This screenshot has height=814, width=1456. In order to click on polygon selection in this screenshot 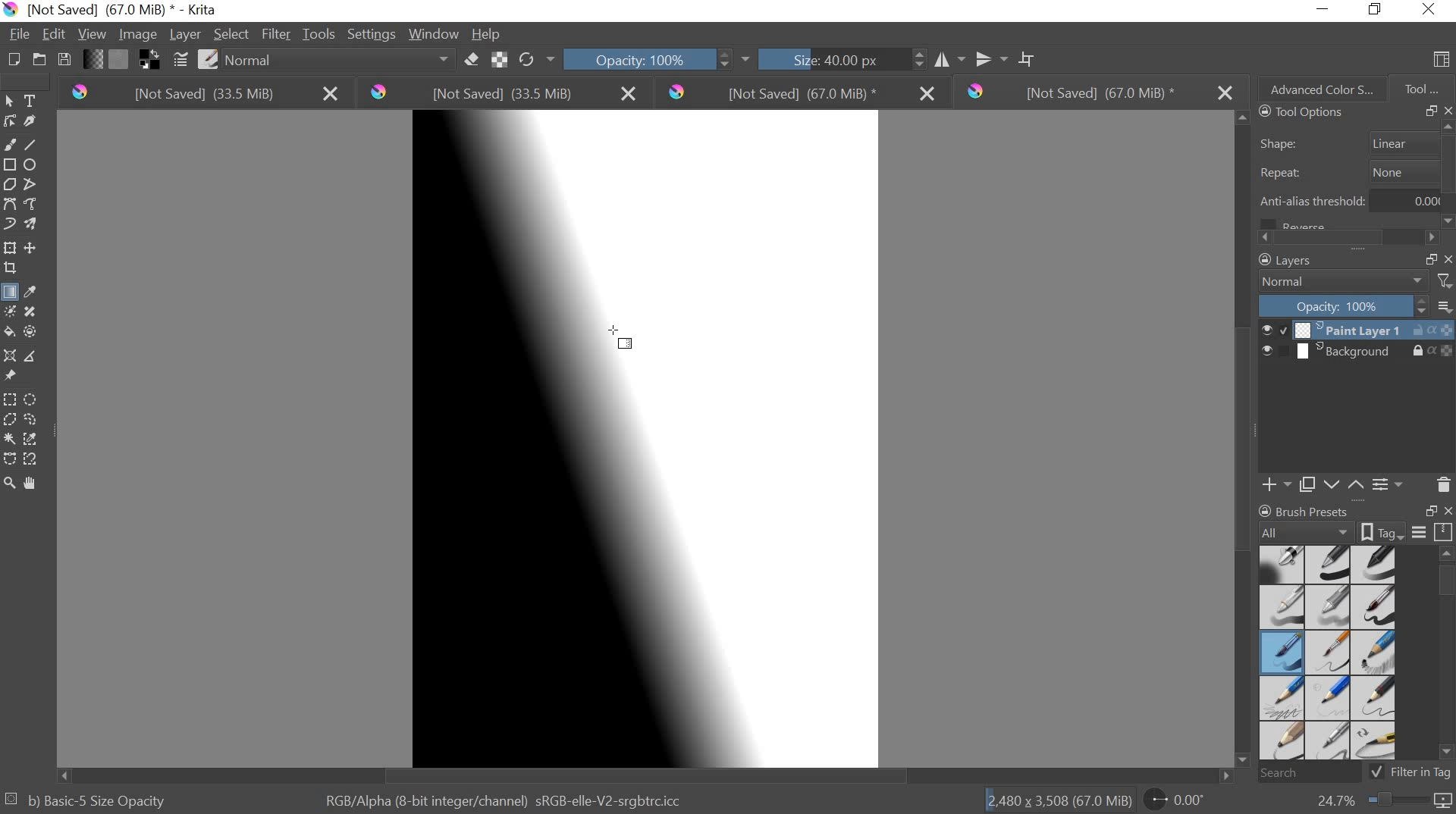, I will do `click(9, 420)`.